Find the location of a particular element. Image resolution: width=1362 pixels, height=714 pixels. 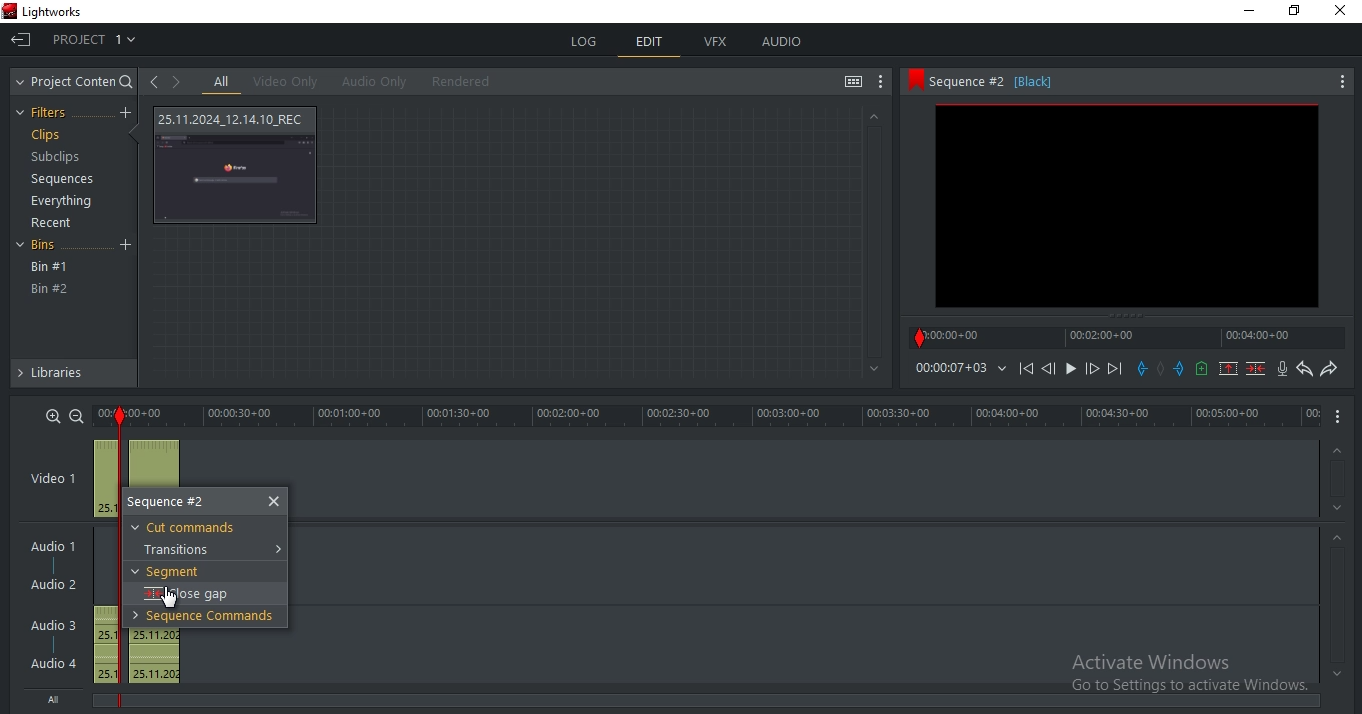

Up is located at coordinates (1338, 537).